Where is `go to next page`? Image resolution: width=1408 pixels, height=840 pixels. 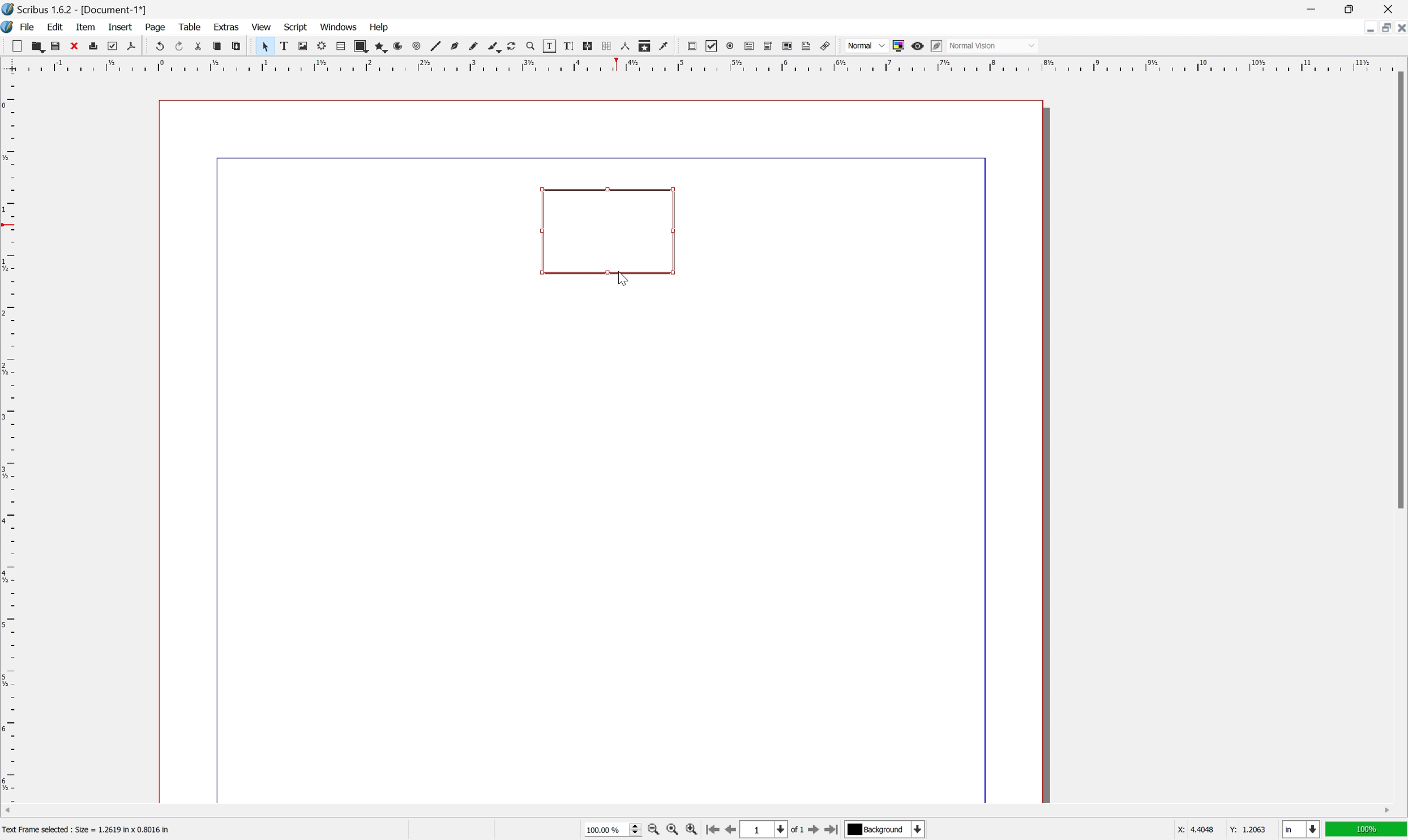 go to next page is located at coordinates (812, 830).